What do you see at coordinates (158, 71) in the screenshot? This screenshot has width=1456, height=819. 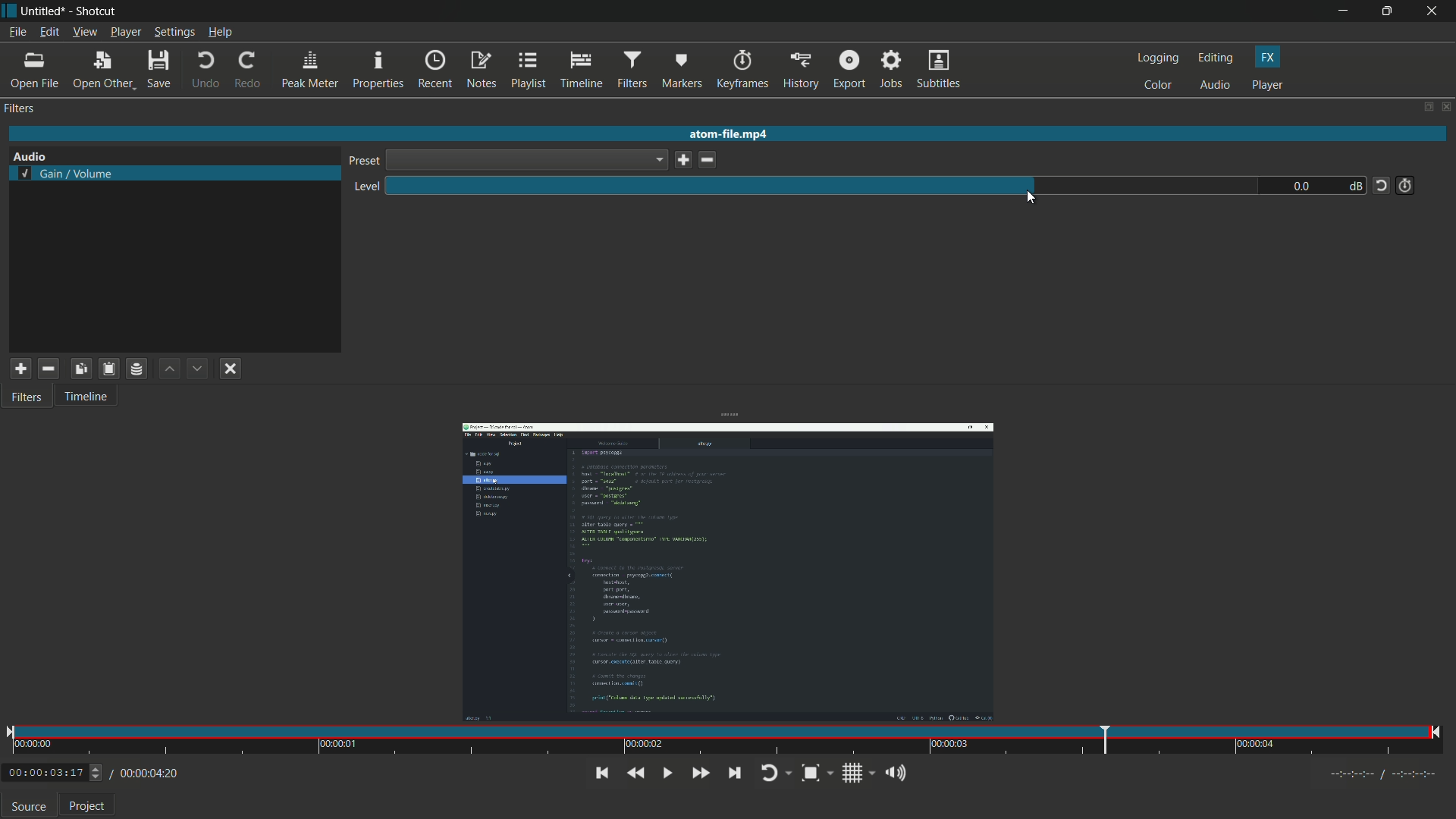 I see `save` at bounding box center [158, 71].